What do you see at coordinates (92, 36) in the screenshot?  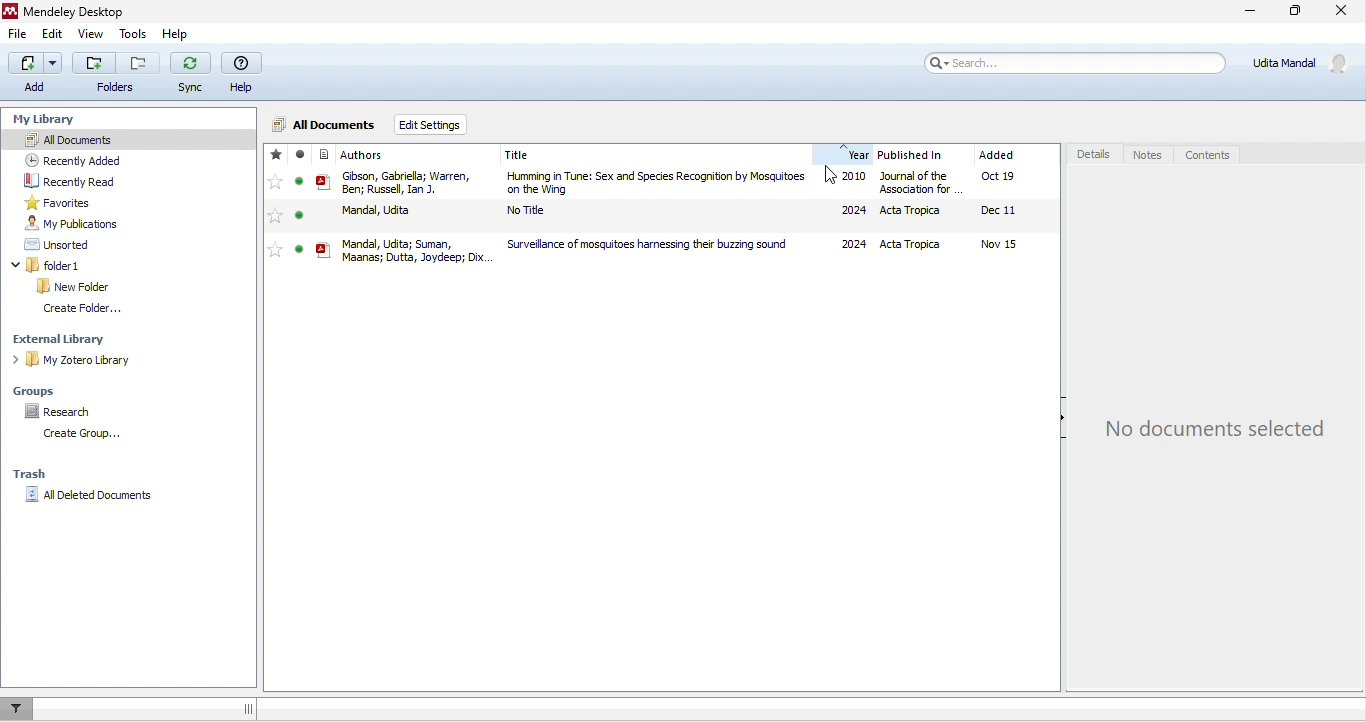 I see `view` at bounding box center [92, 36].